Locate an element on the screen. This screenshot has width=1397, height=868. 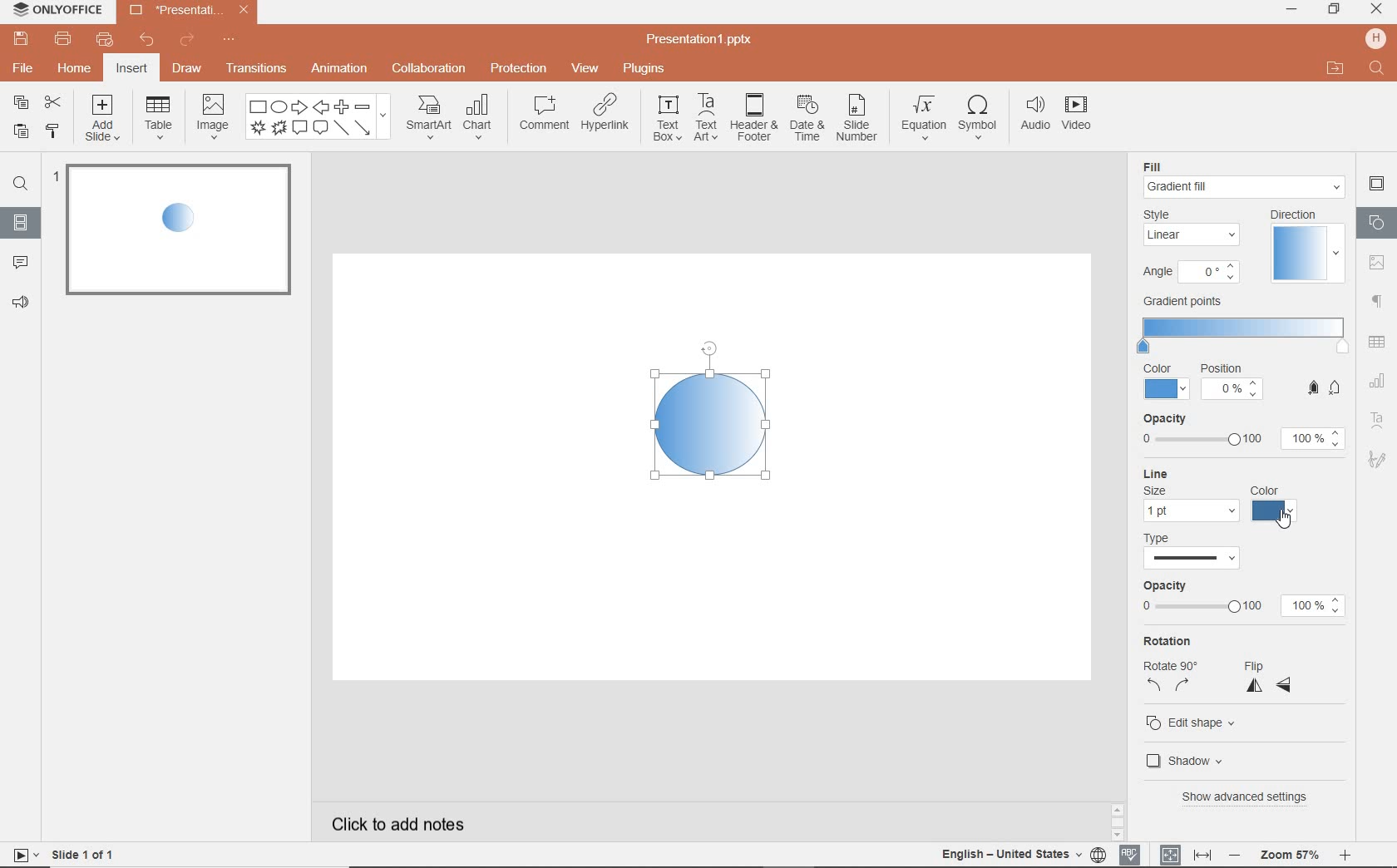
direction is located at coordinates (1305, 245).